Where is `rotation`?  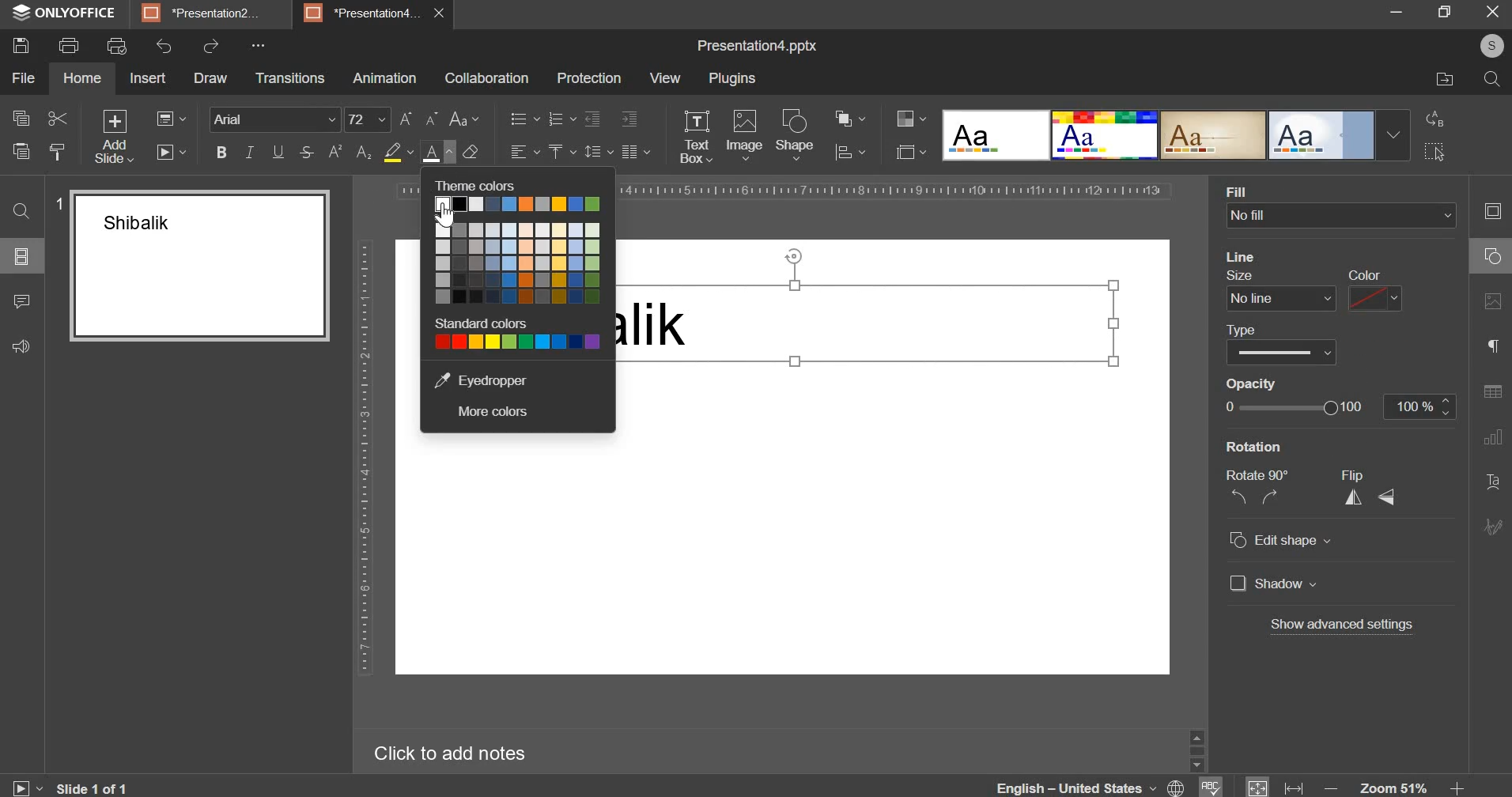
rotation is located at coordinates (1306, 448).